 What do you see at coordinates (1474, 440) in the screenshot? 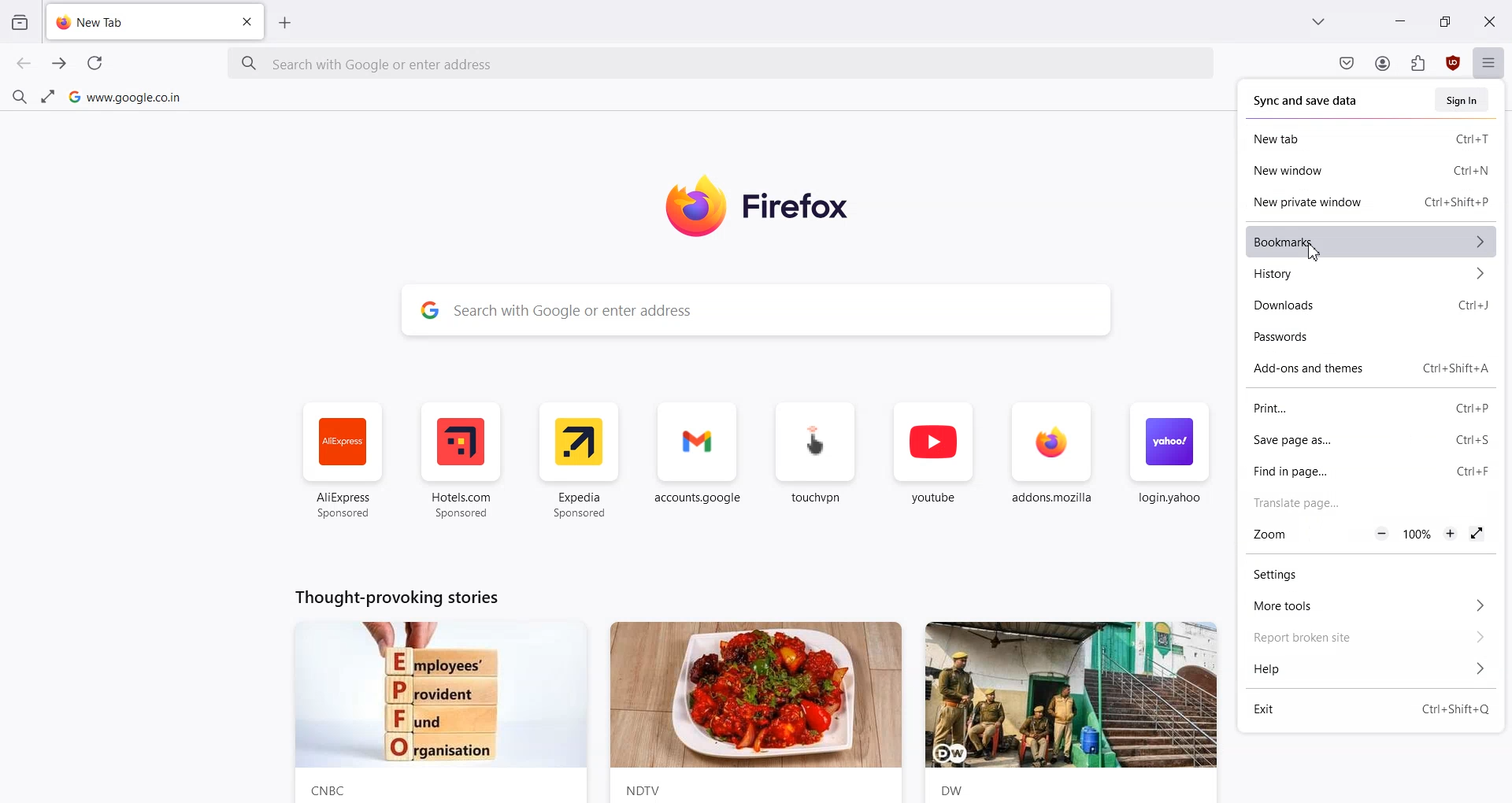
I see `Shortcut key` at bounding box center [1474, 440].